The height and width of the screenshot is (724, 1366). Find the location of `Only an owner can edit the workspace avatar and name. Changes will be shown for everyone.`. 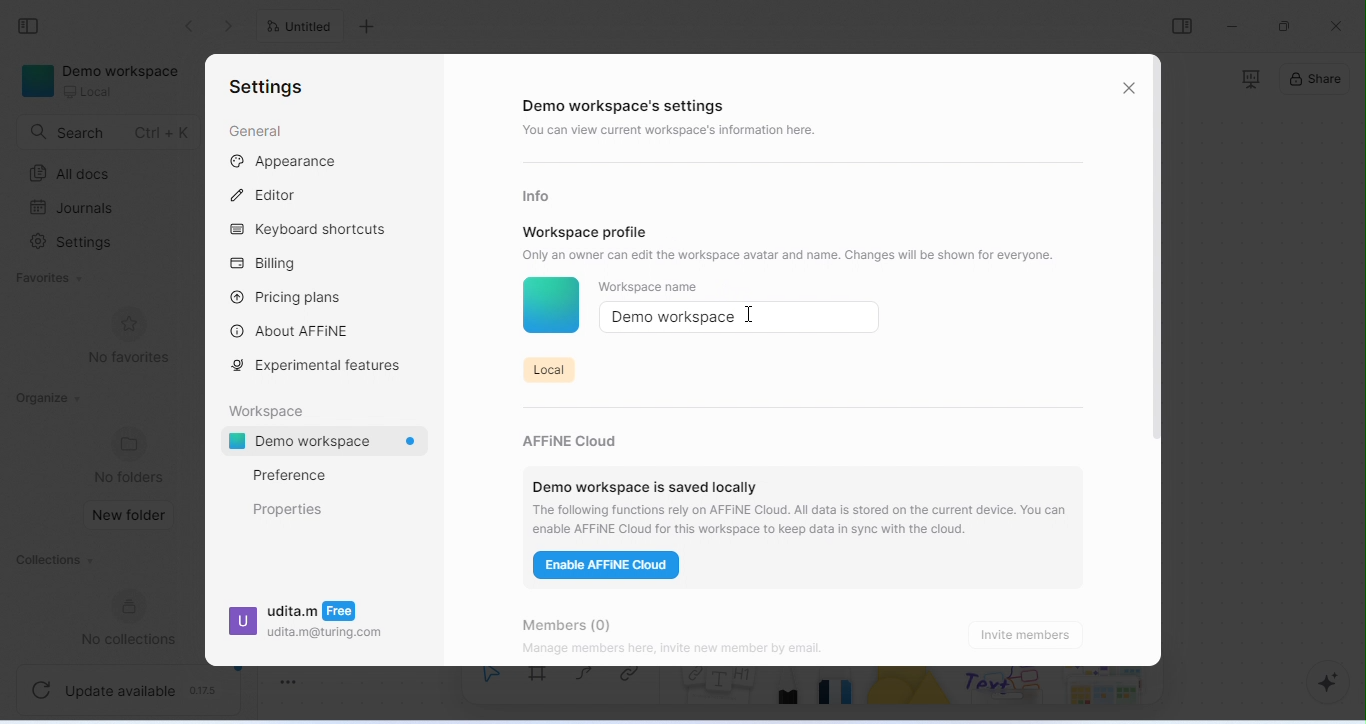

Only an owner can edit the workspace avatar and name. Changes will be shown for everyone. is located at coordinates (800, 254).